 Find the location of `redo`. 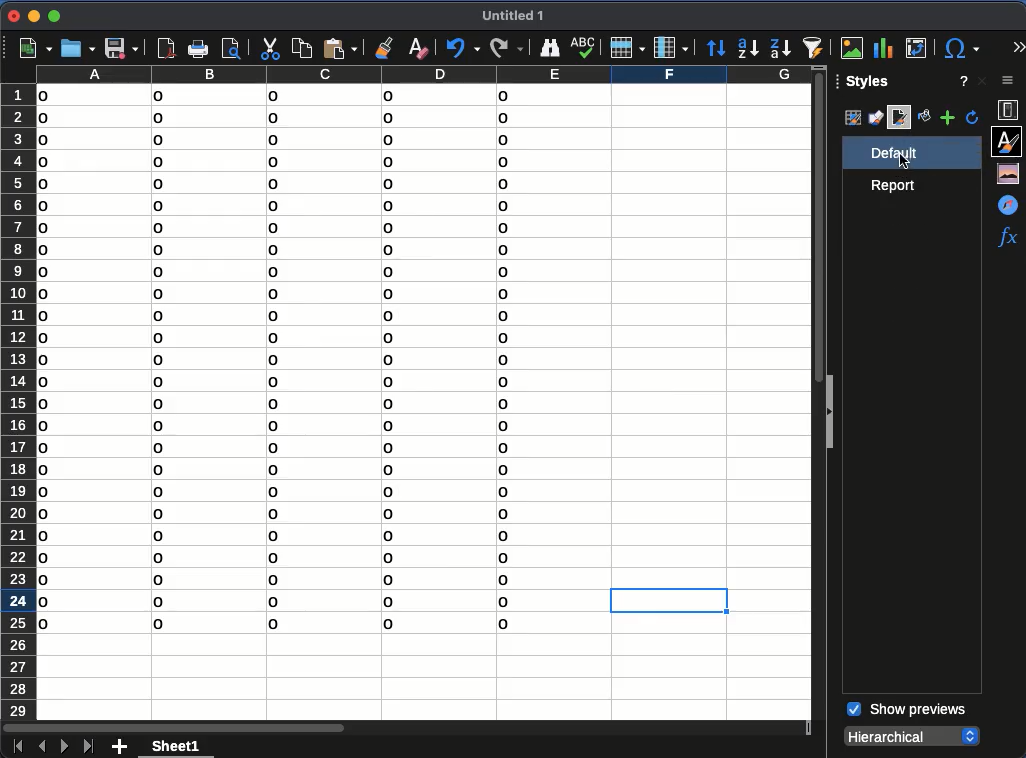

redo is located at coordinates (506, 46).